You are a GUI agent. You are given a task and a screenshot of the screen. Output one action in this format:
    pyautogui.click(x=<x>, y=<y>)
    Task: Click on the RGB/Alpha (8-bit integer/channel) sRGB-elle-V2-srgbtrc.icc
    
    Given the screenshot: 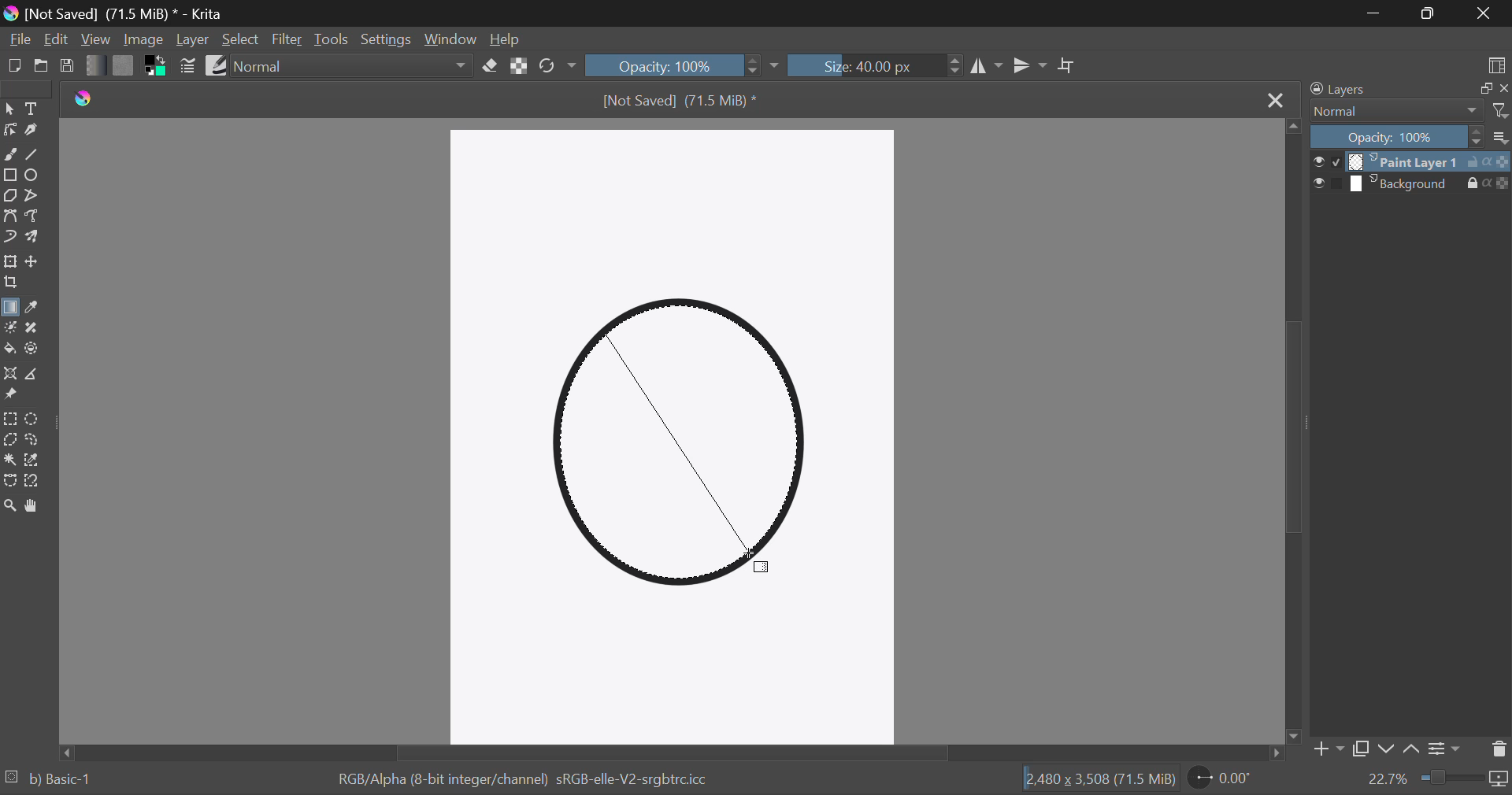 What is the action you would take?
    pyautogui.click(x=526, y=779)
    